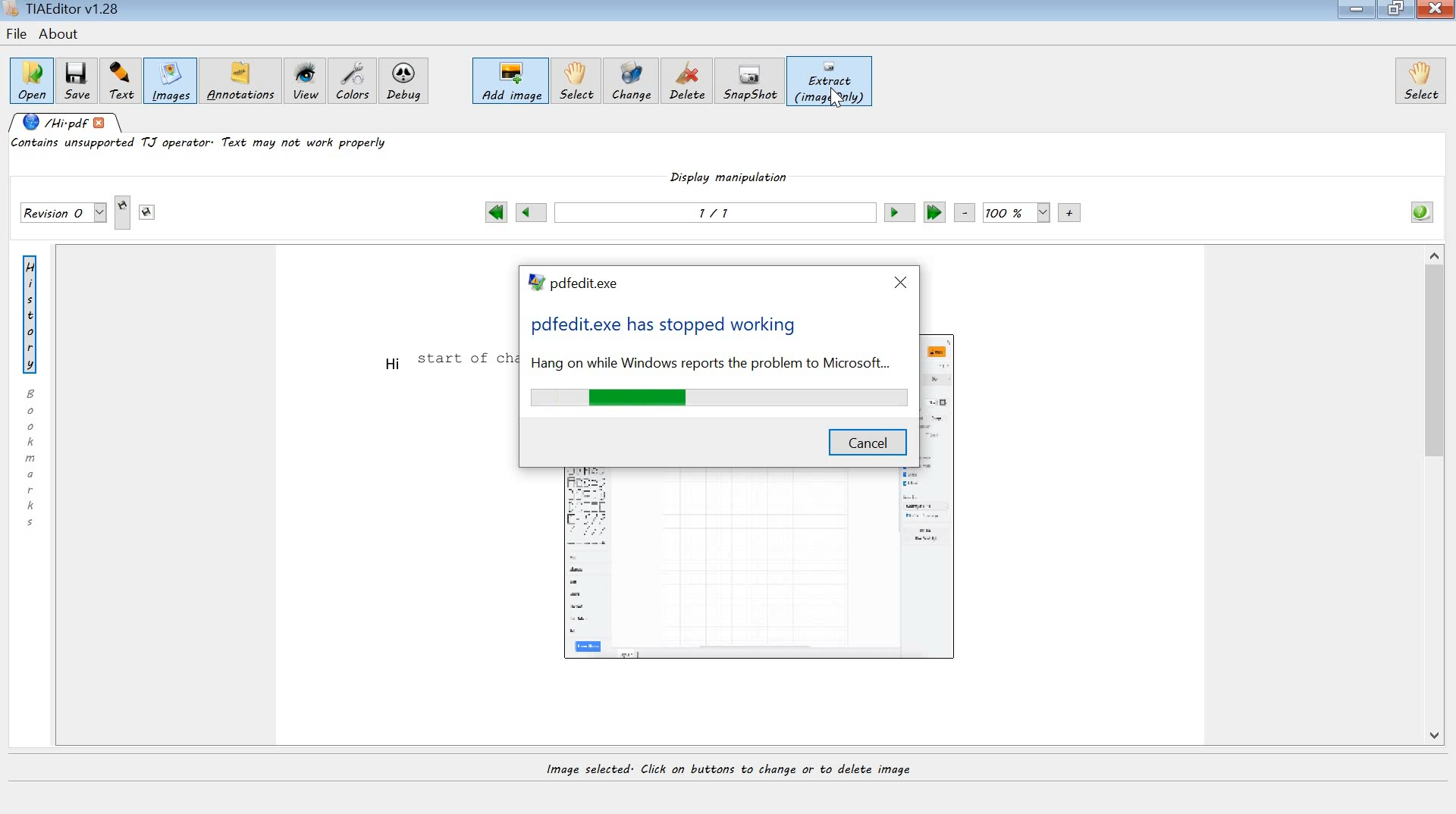 The image size is (1456, 814). I want to click on system name, so click(576, 280).